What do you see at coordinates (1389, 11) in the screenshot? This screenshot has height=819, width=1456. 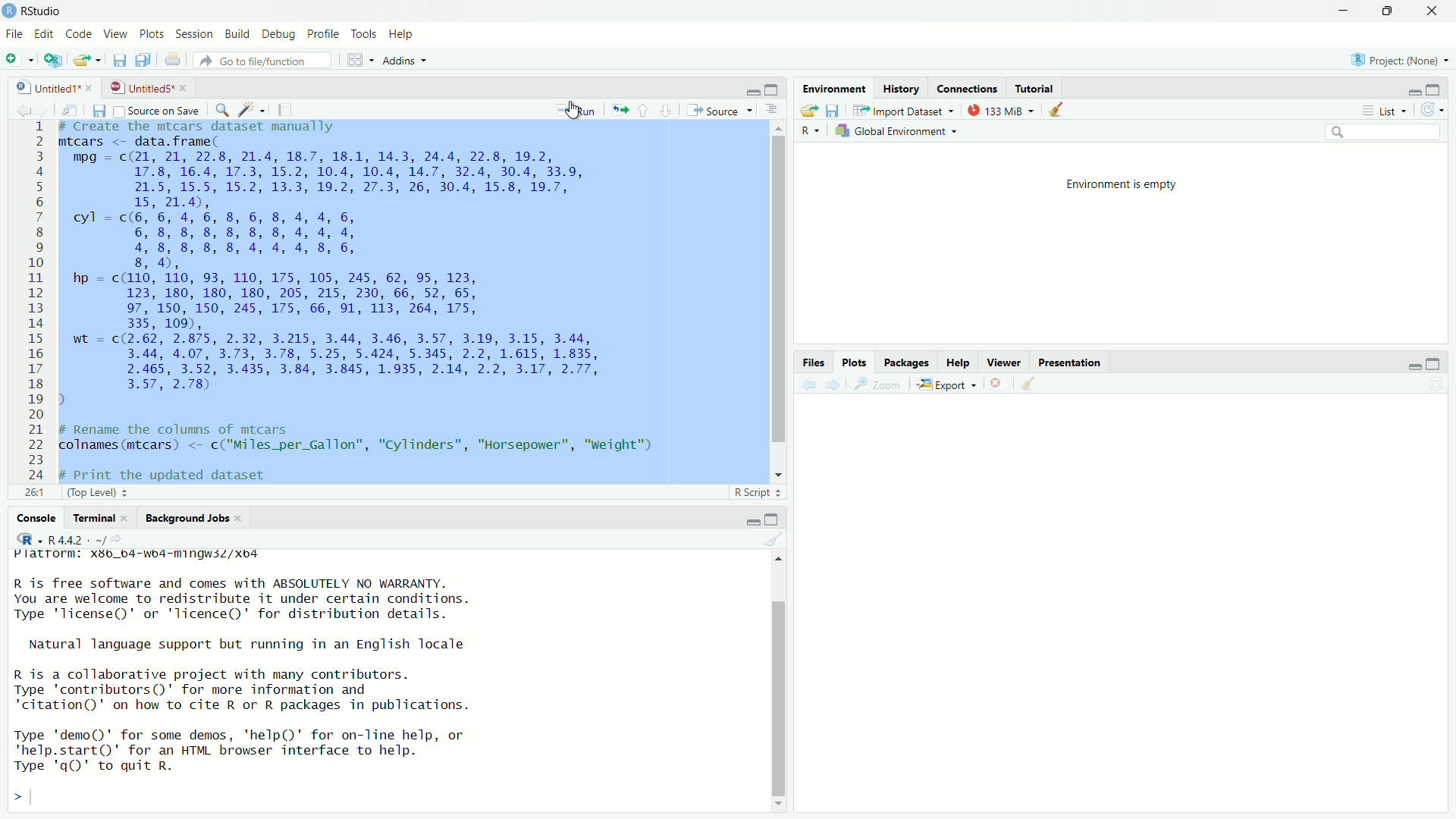 I see `maximise` at bounding box center [1389, 11].